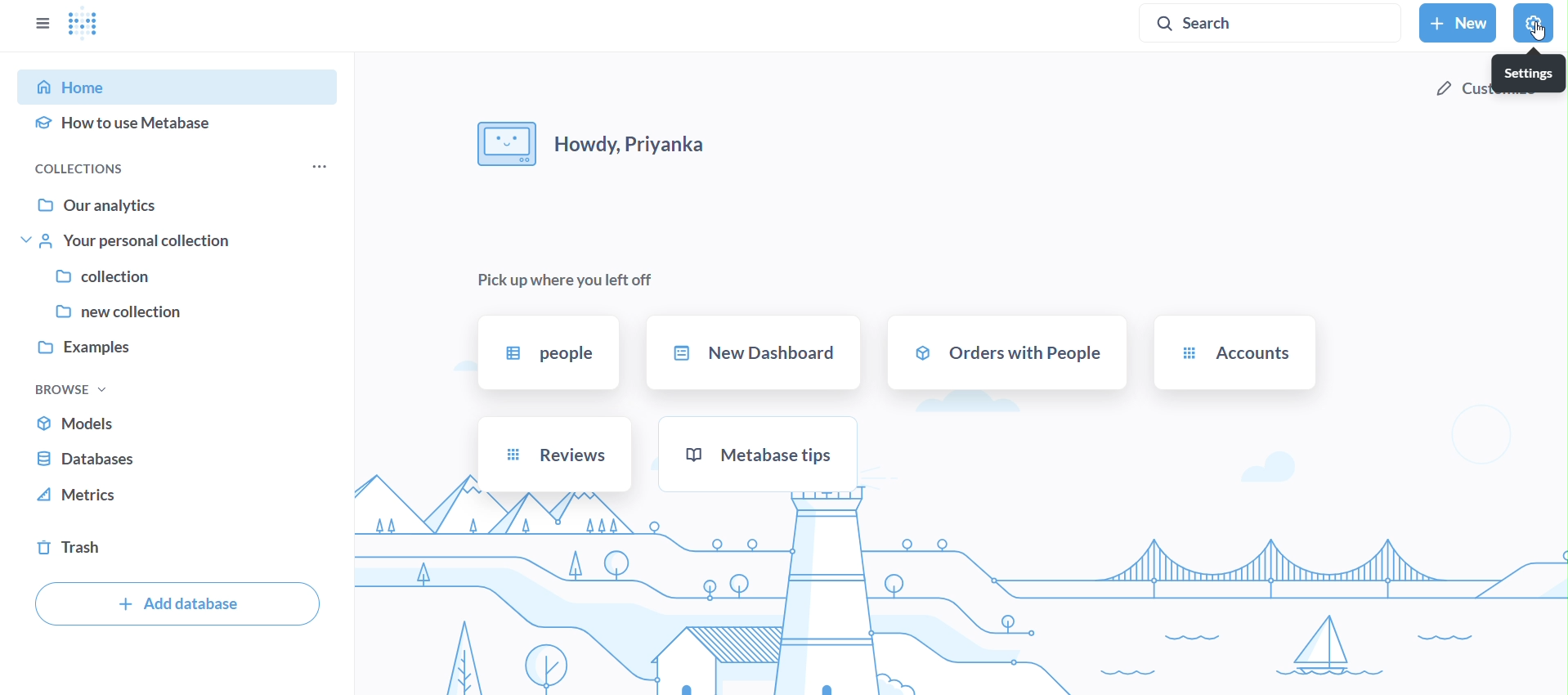 The image size is (1568, 695). I want to click on metrics, so click(178, 496).